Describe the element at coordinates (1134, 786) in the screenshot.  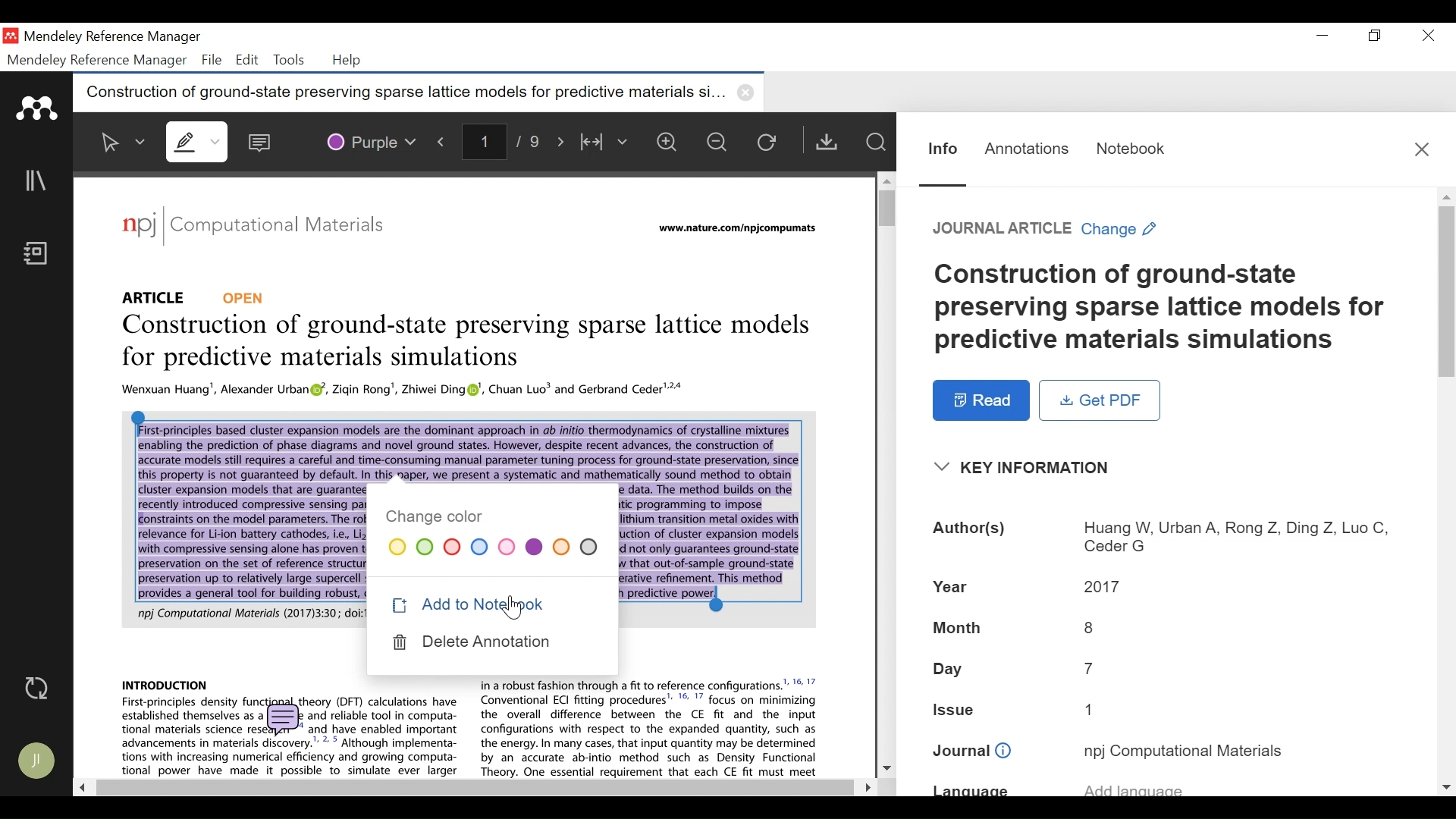
I see `Language` at that location.